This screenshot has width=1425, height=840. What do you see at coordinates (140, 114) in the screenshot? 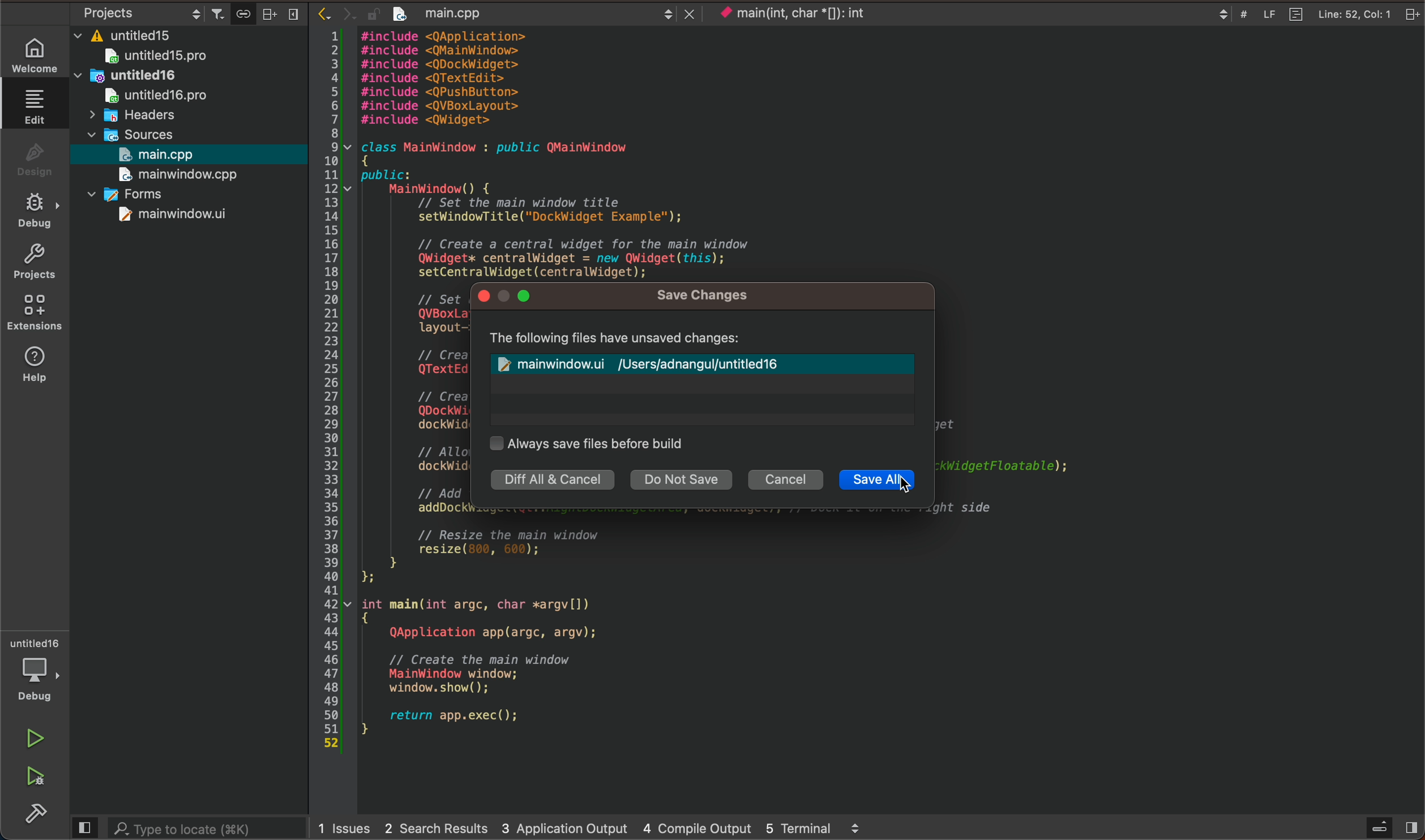
I see `headers` at bounding box center [140, 114].